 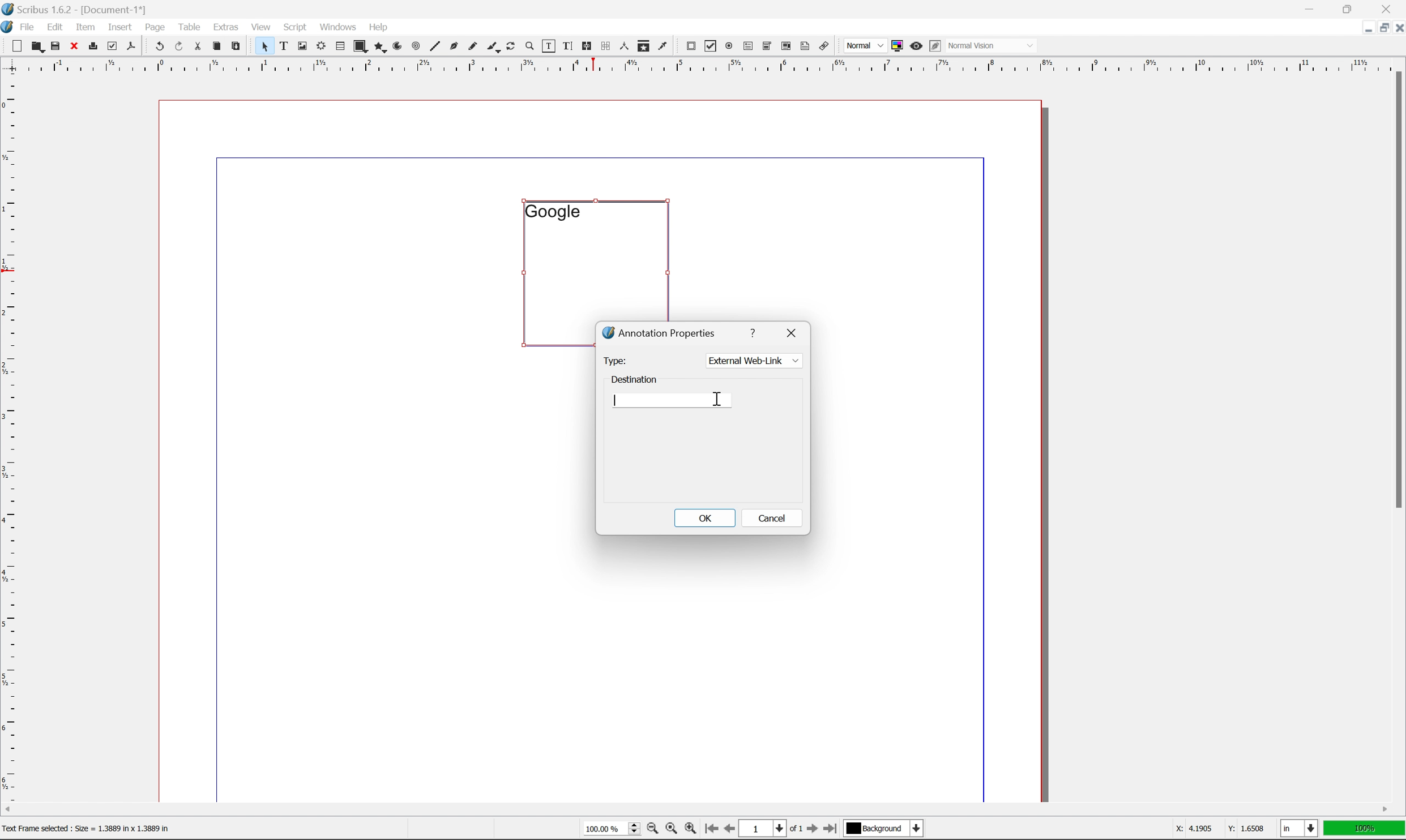 I want to click on pdf push button, so click(x=687, y=45).